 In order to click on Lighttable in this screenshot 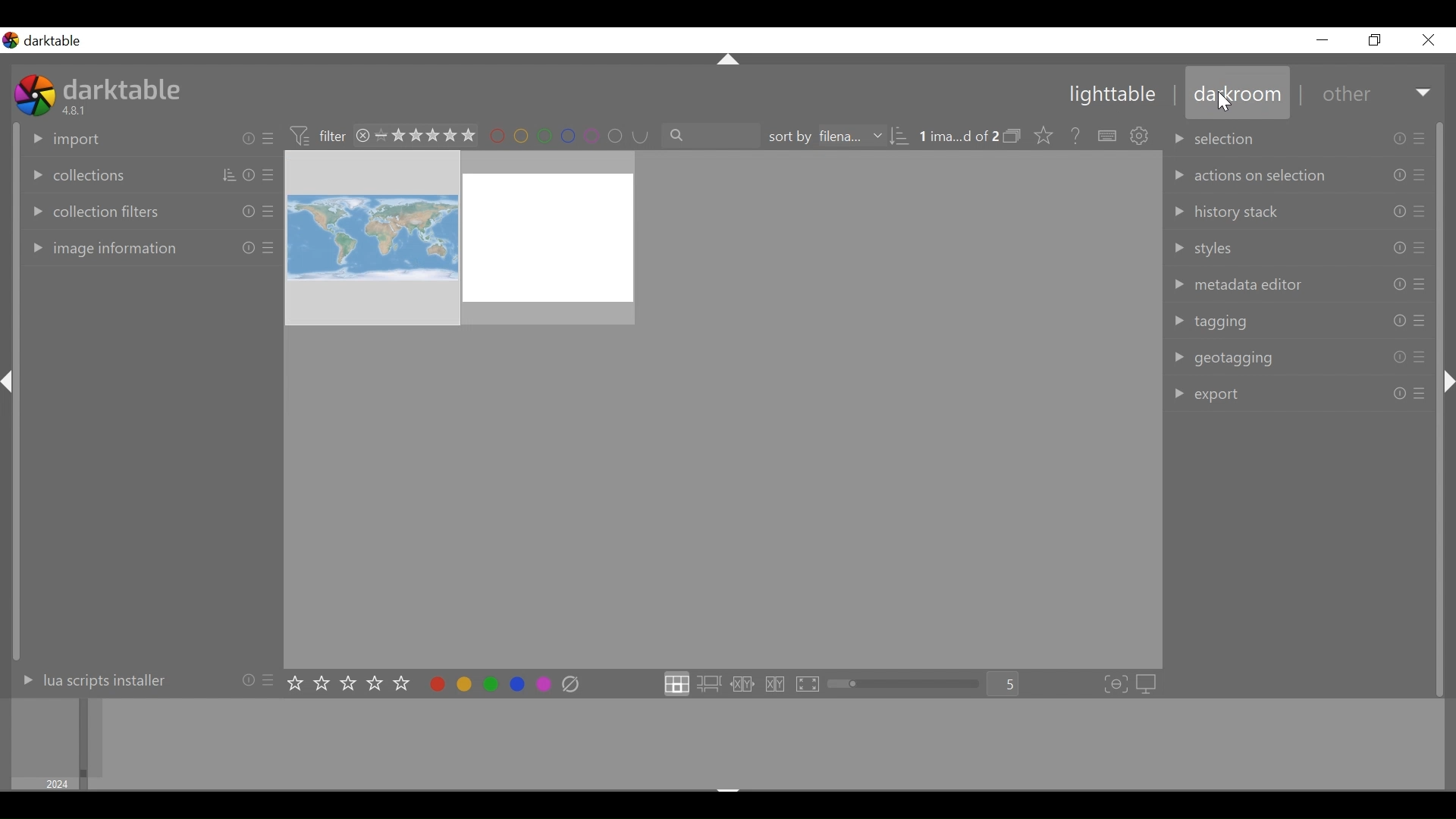, I will do `click(1105, 93)`.